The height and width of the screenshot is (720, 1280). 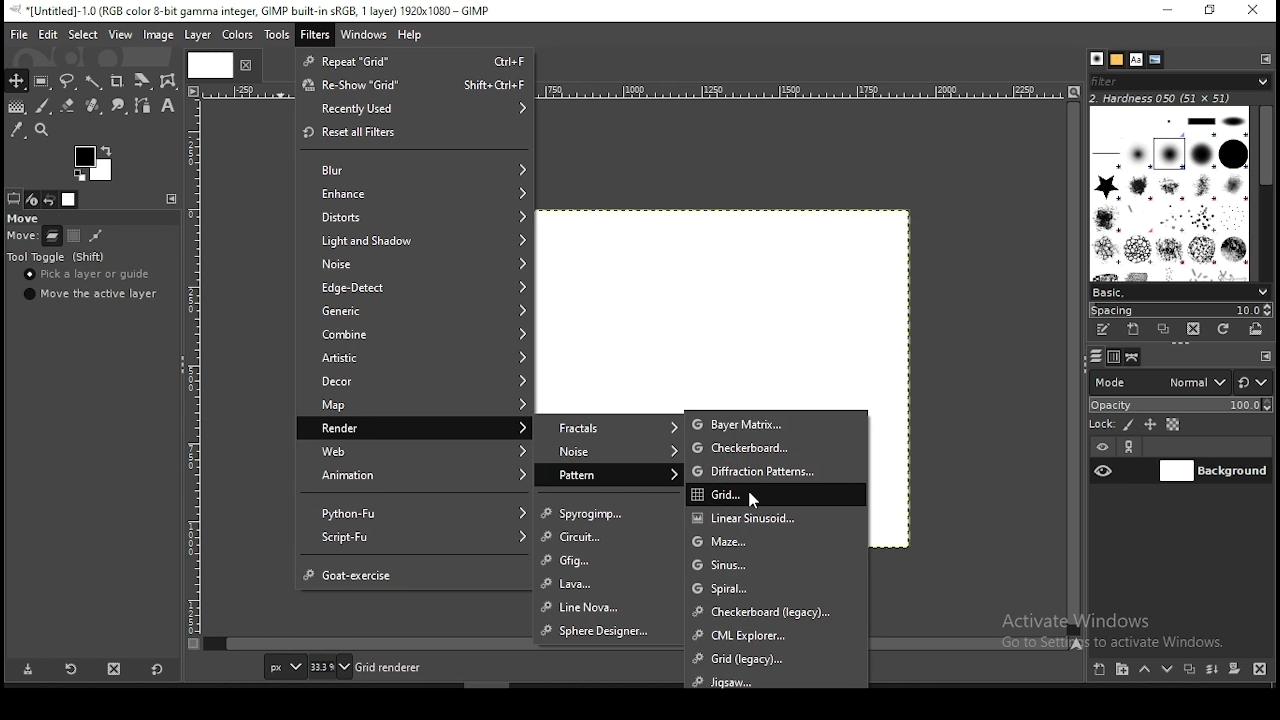 I want to click on lock size and position, so click(x=1150, y=424).